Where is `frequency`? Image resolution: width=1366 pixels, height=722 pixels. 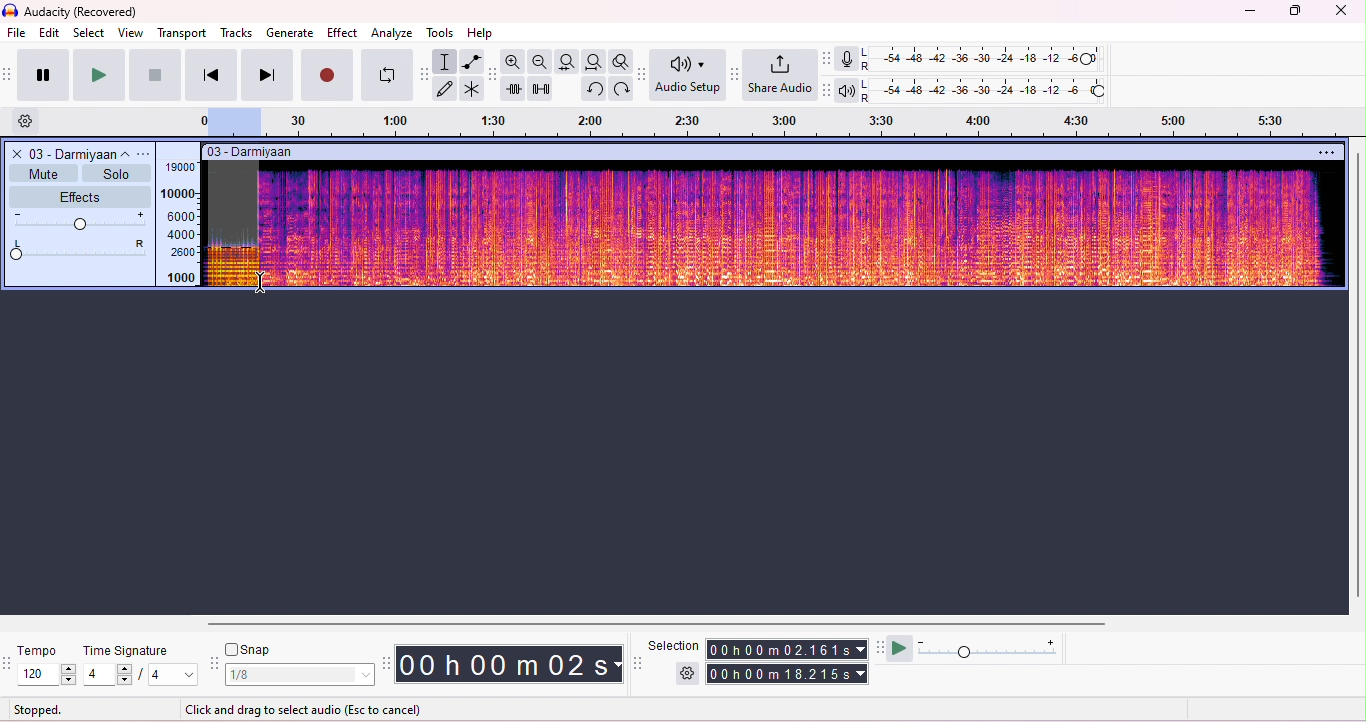
frequency is located at coordinates (181, 224).